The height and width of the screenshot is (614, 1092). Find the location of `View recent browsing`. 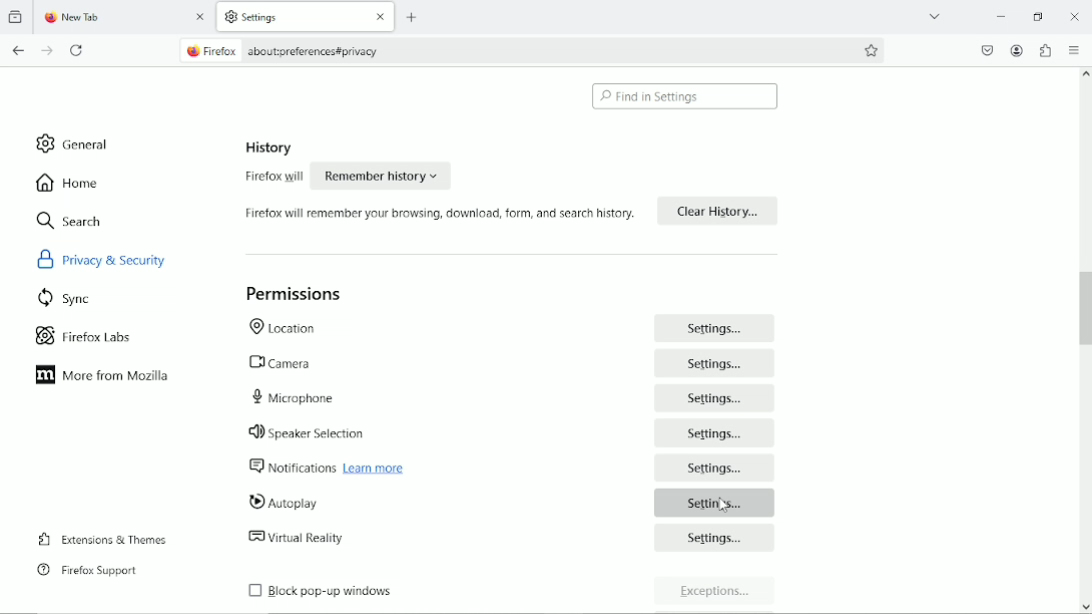

View recent browsing is located at coordinates (17, 18).